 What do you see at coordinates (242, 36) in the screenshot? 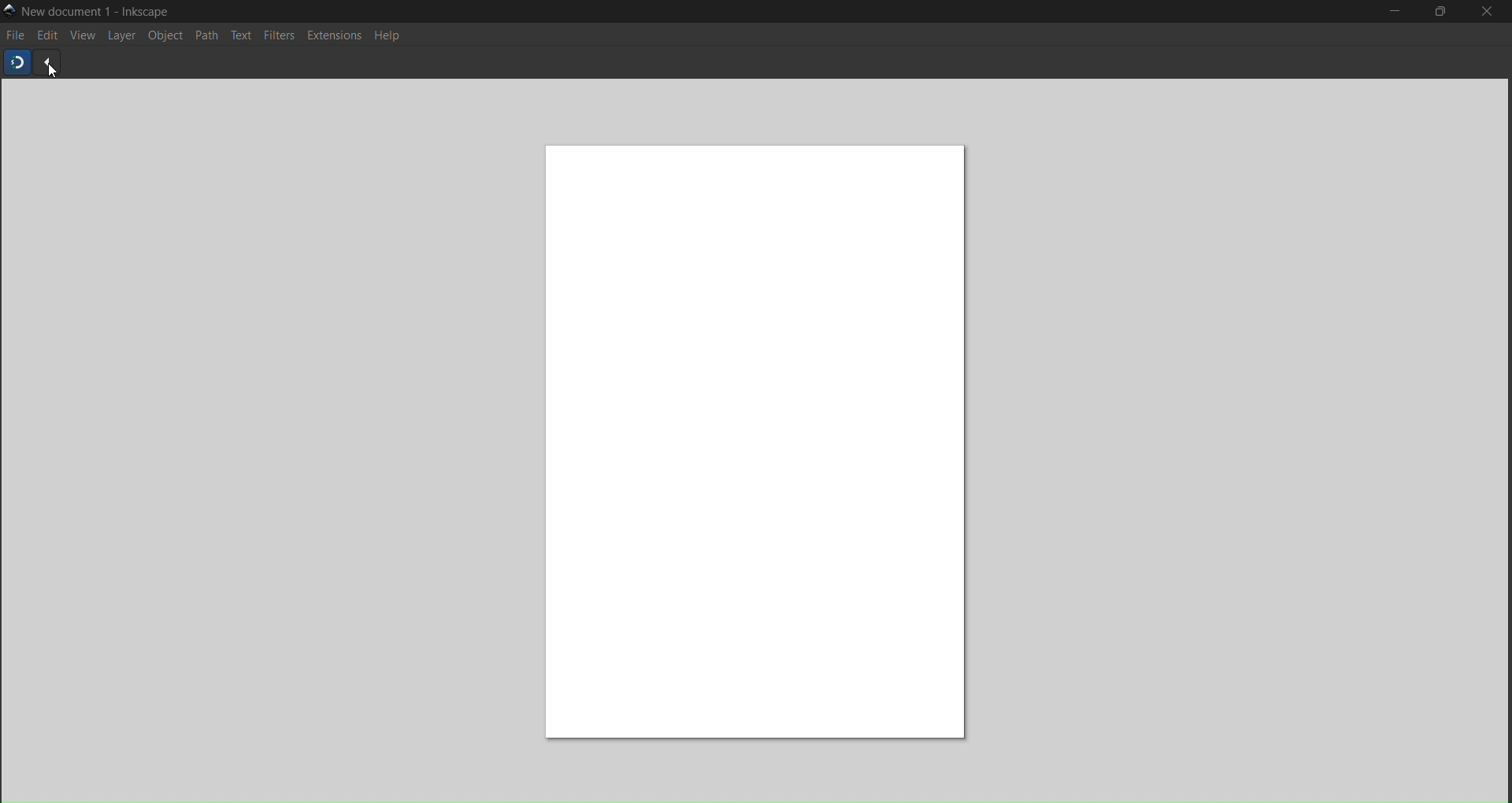
I see `Text` at bounding box center [242, 36].